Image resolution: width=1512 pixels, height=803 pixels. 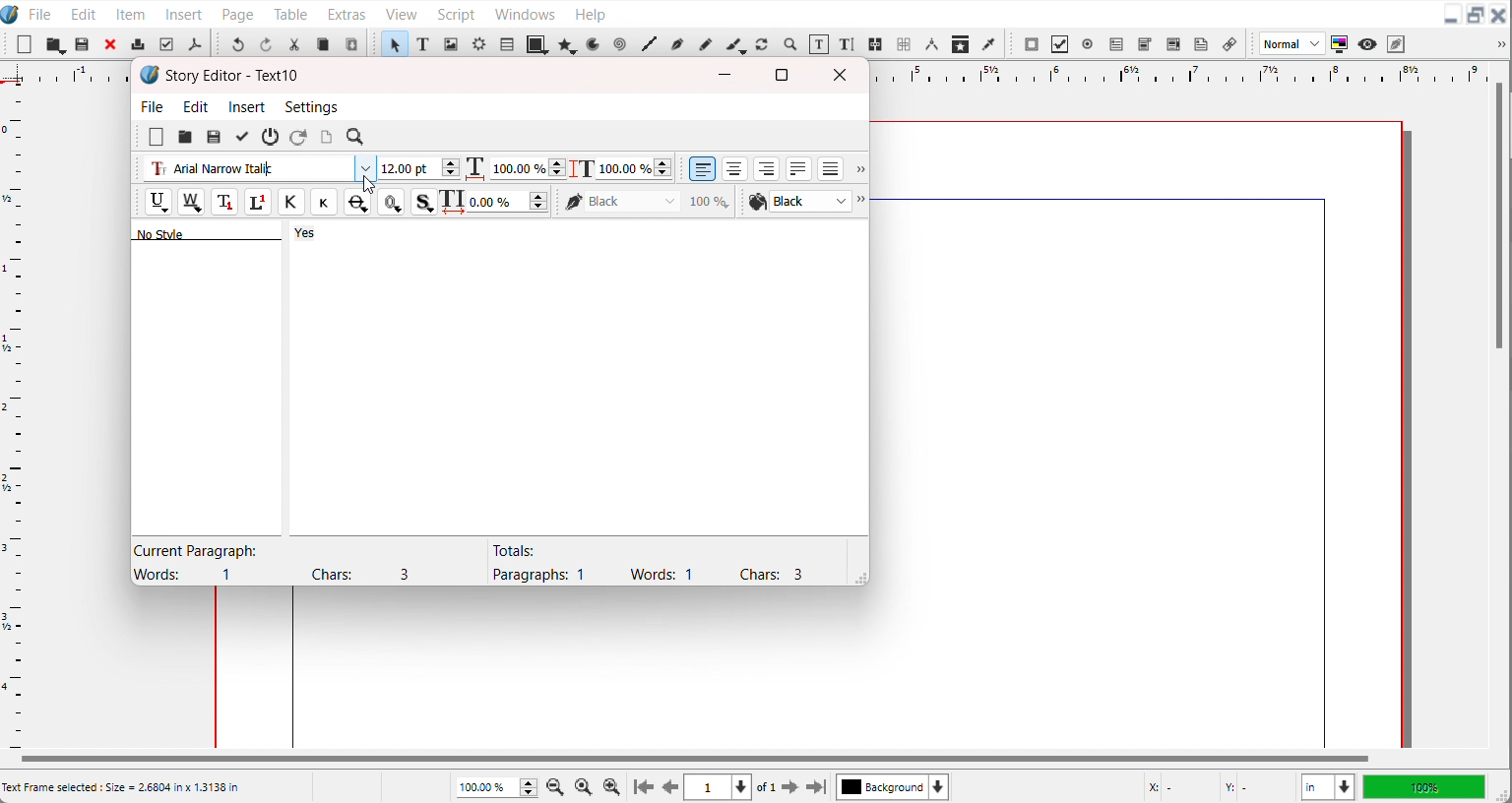 I want to click on Align text Justified, so click(x=799, y=168).